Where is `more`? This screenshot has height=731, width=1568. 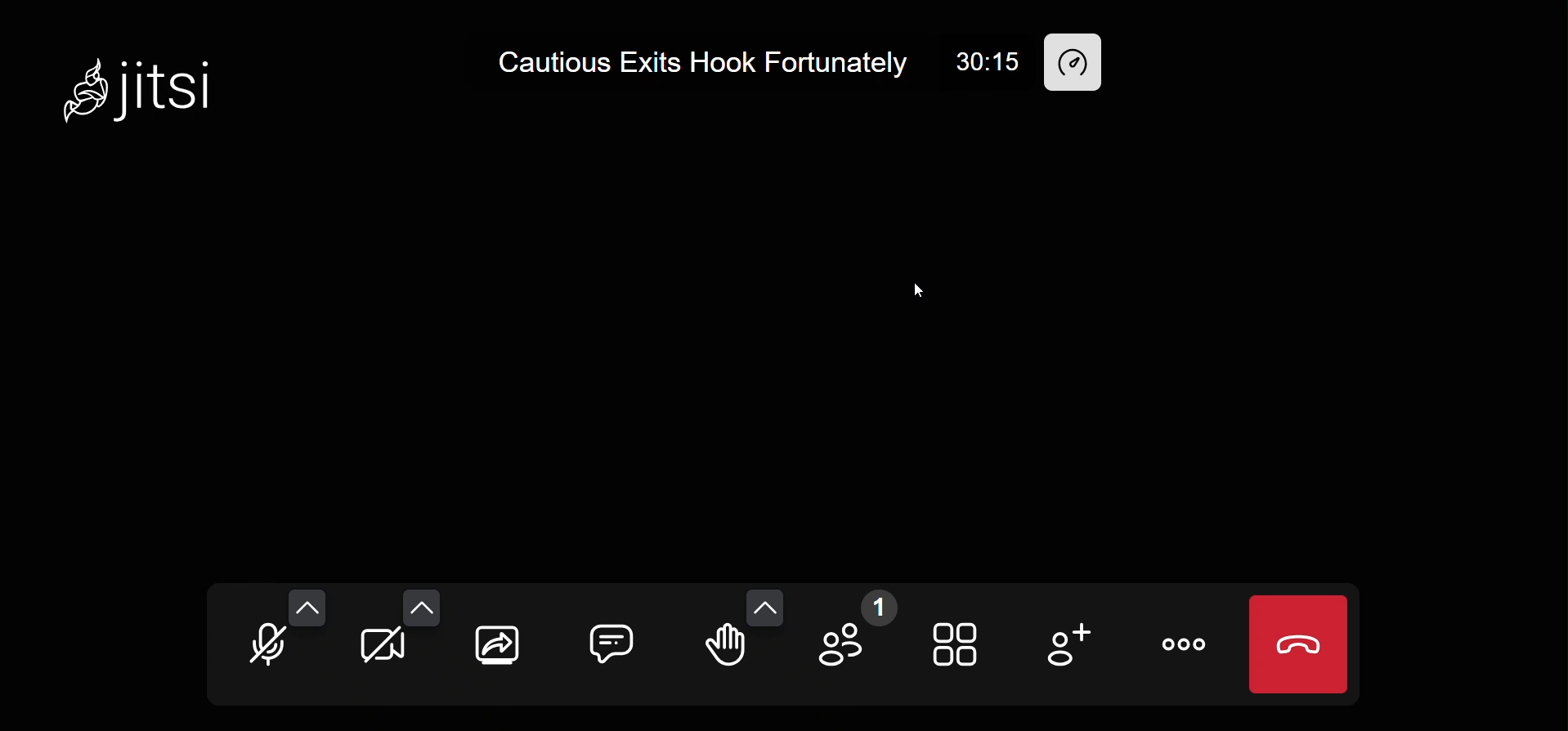
more is located at coordinates (1180, 647).